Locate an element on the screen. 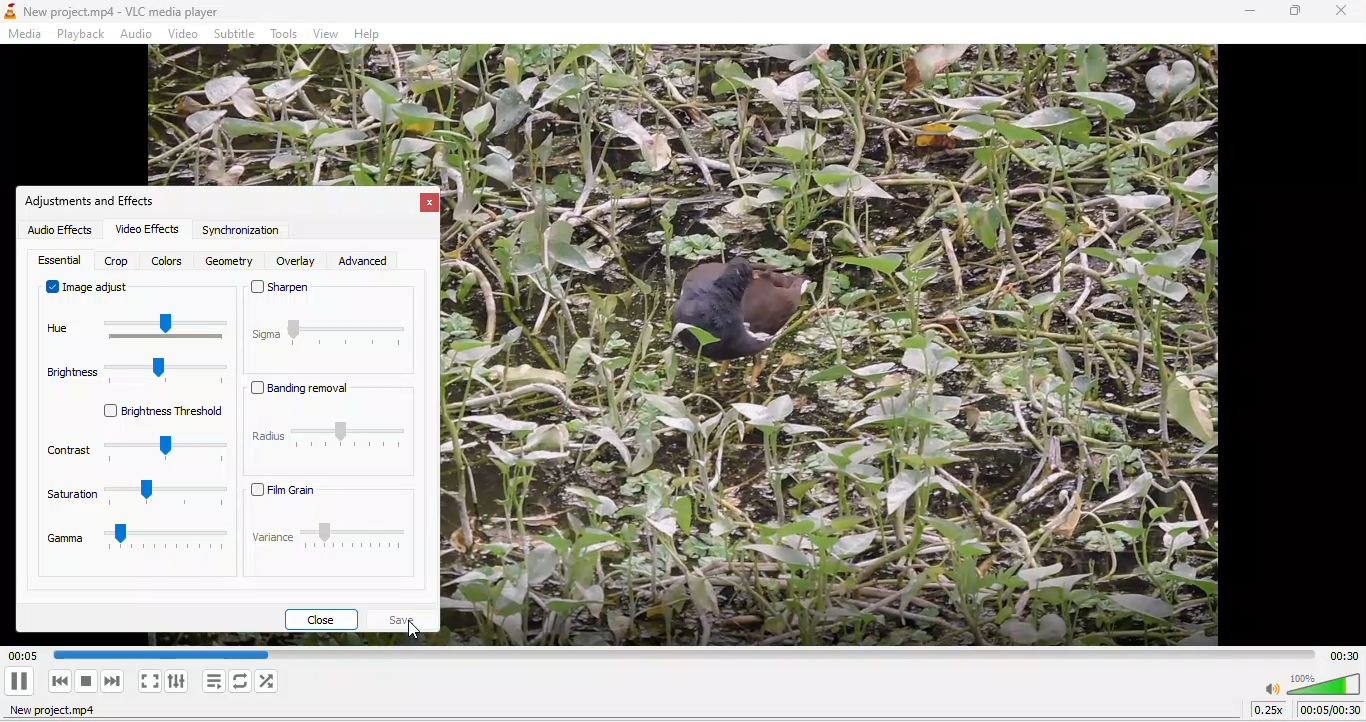  adjustments and effects is located at coordinates (95, 201).